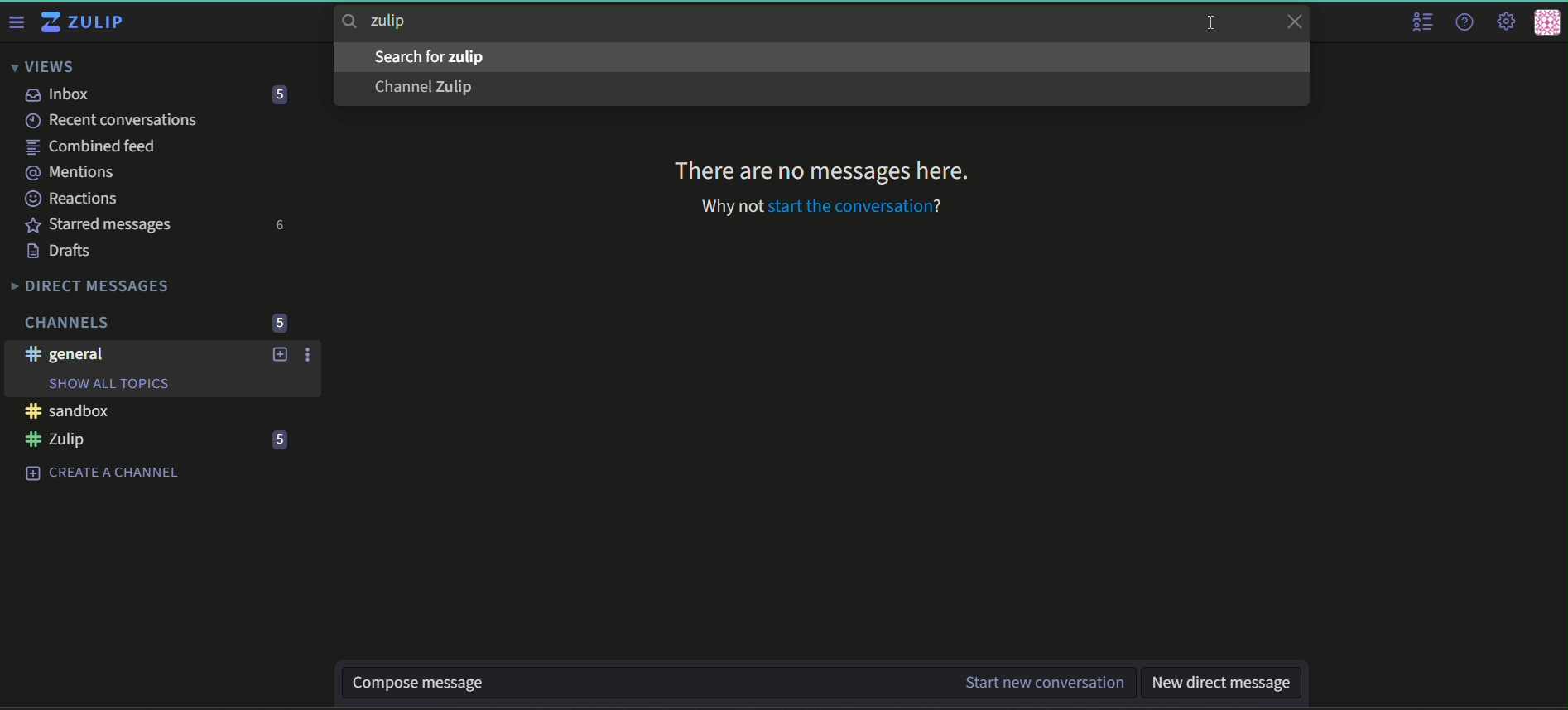  I want to click on Text, so click(810, 164).